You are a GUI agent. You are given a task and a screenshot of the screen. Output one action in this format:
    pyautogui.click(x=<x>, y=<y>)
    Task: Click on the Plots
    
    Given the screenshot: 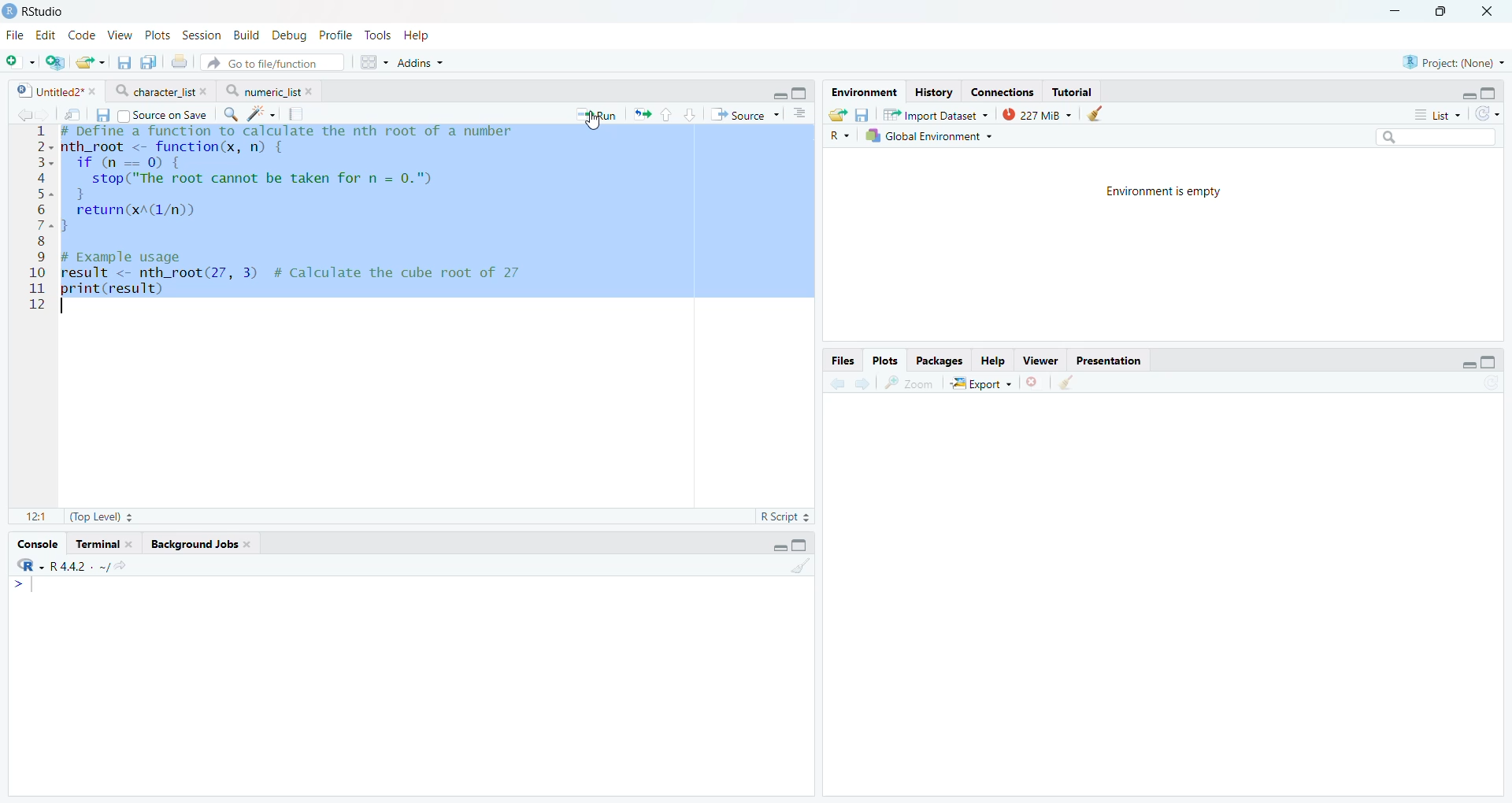 What is the action you would take?
    pyautogui.click(x=158, y=34)
    